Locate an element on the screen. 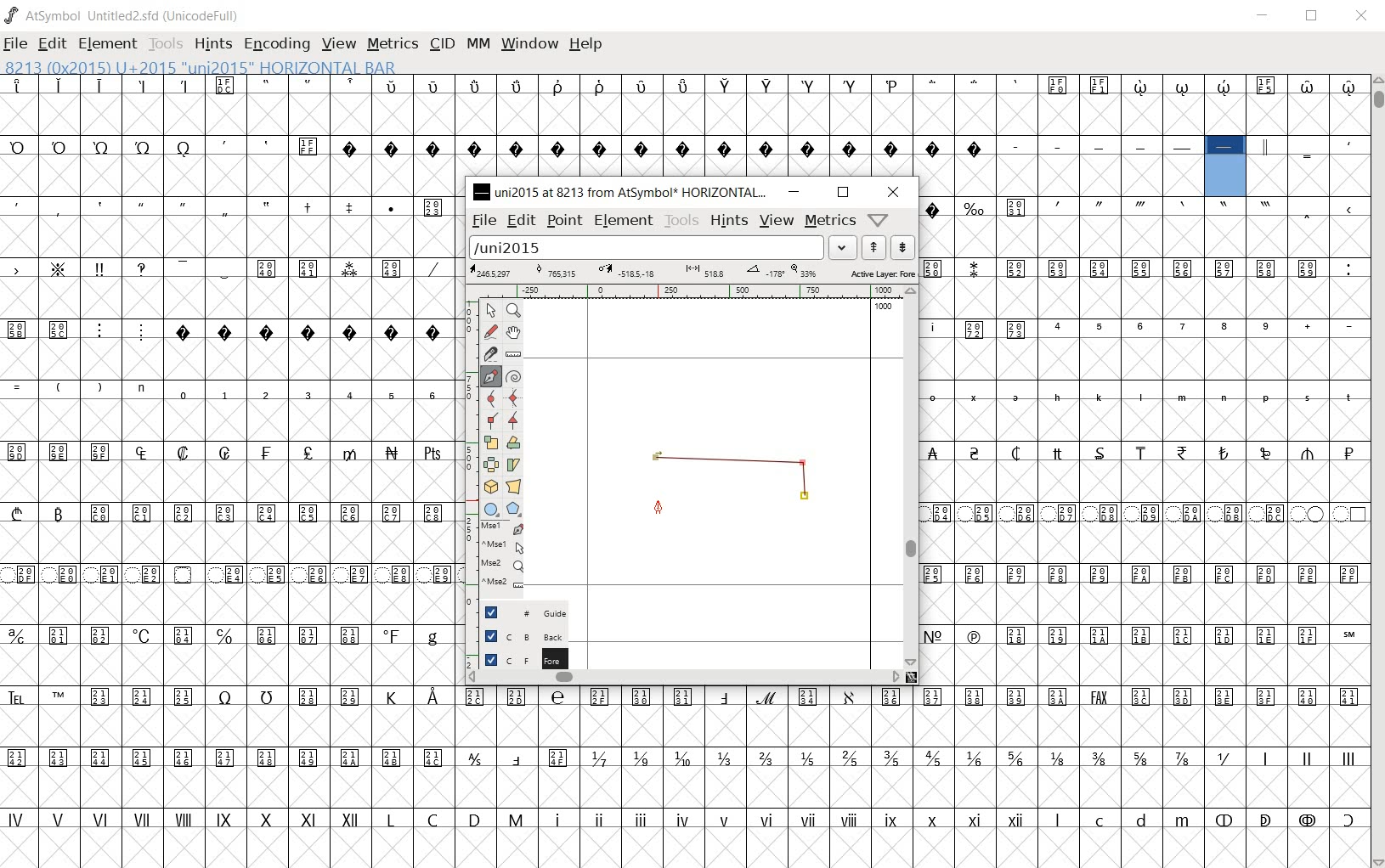 This screenshot has height=868, width=1385. uni2015 at 8213 from AtSymbol HORIZONTAL... is located at coordinates (620, 192).